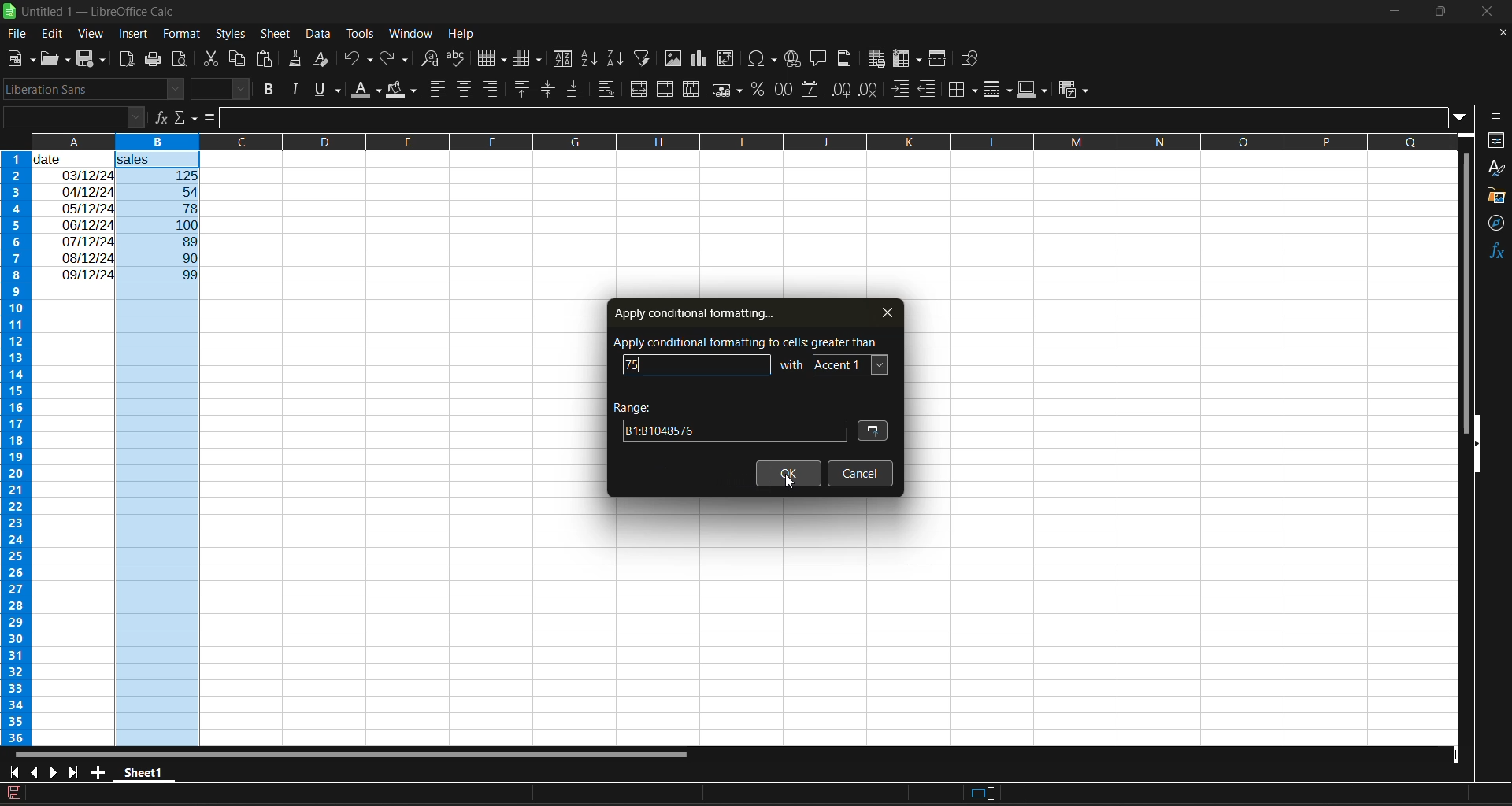  What do you see at coordinates (593, 59) in the screenshot?
I see `sort ascending` at bounding box center [593, 59].